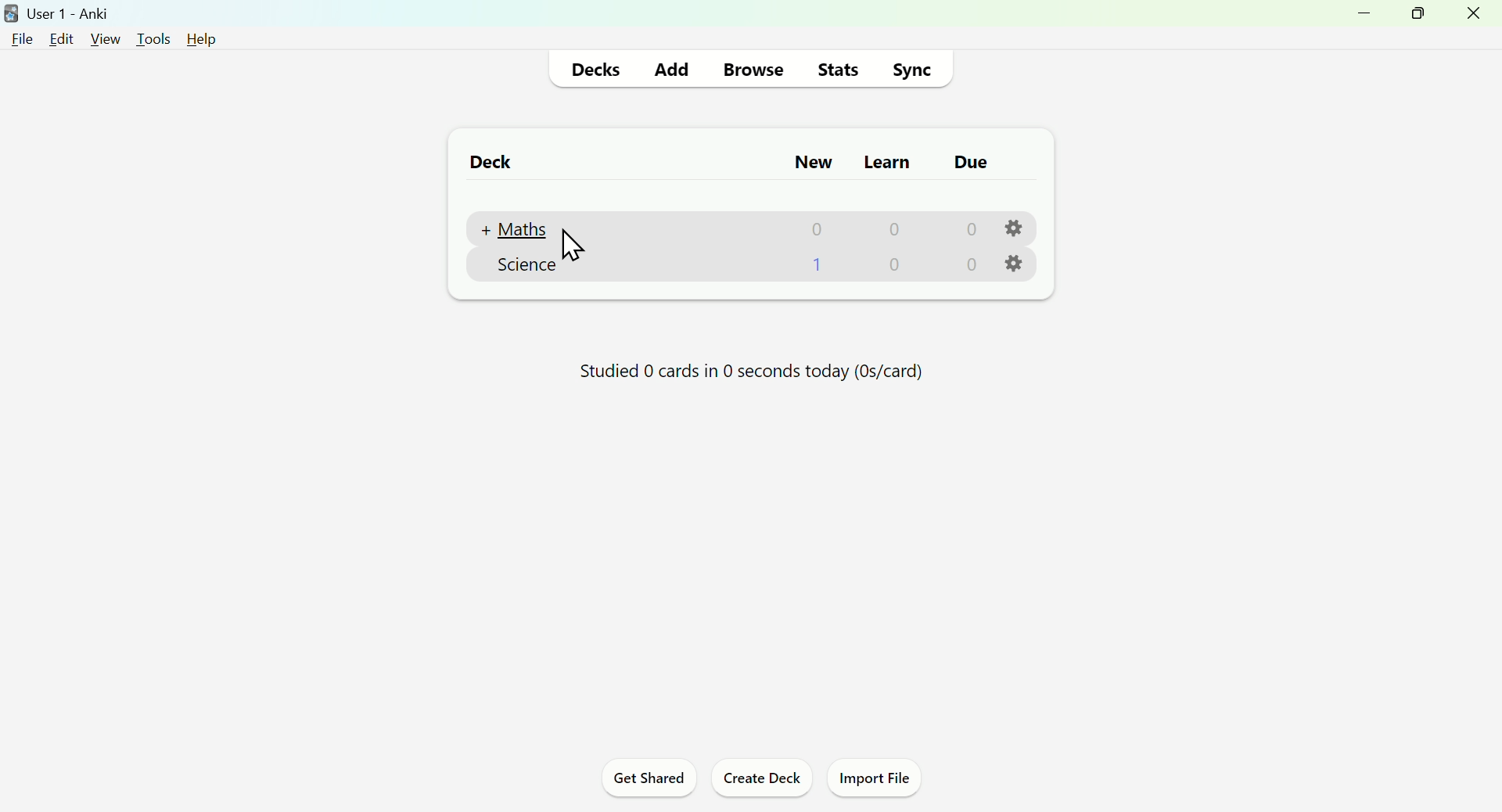 This screenshot has width=1502, height=812. What do you see at coordinates (1023, 265) in the screenshot?
I see `settings` at bounding box center [1023, 265].